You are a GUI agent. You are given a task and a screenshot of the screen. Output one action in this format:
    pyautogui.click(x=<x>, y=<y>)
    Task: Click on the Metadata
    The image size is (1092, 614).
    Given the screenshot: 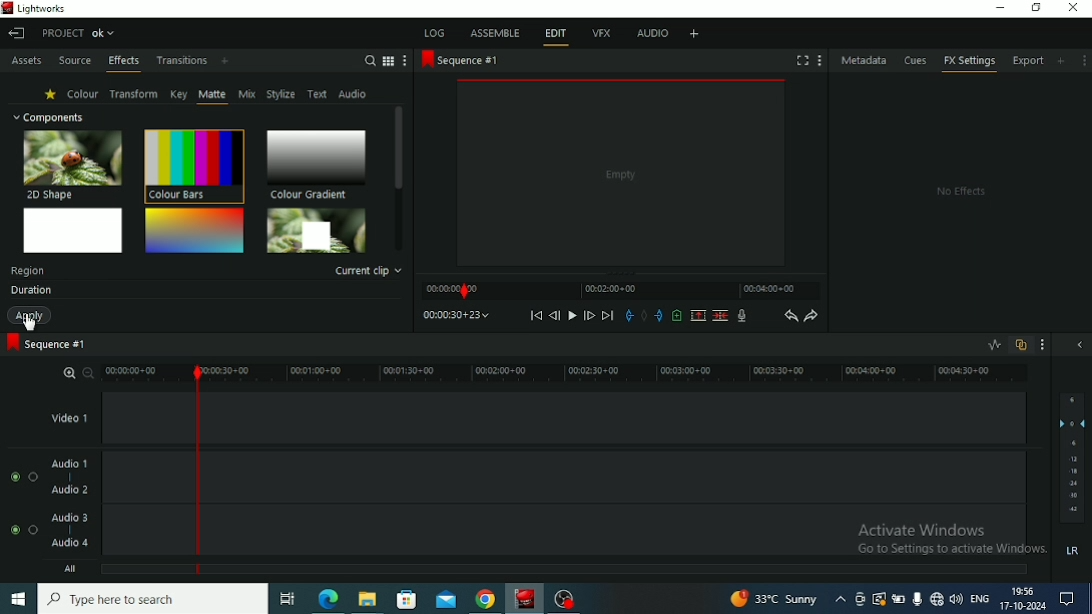 What is the action you would take?
    pyautogui.click(x=865, y=60)
    